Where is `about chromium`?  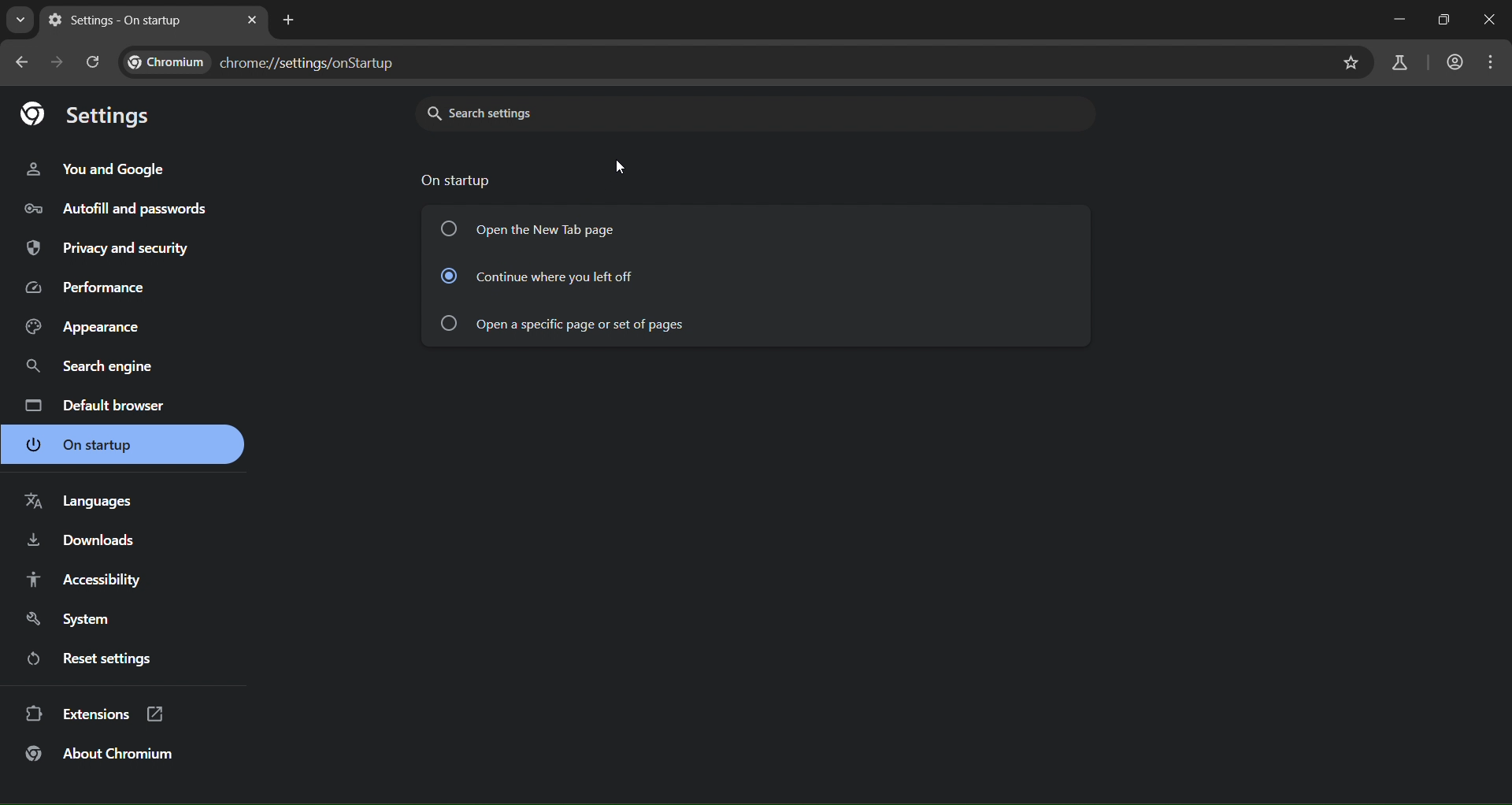 about chromium is located at coordinates (102, 753).